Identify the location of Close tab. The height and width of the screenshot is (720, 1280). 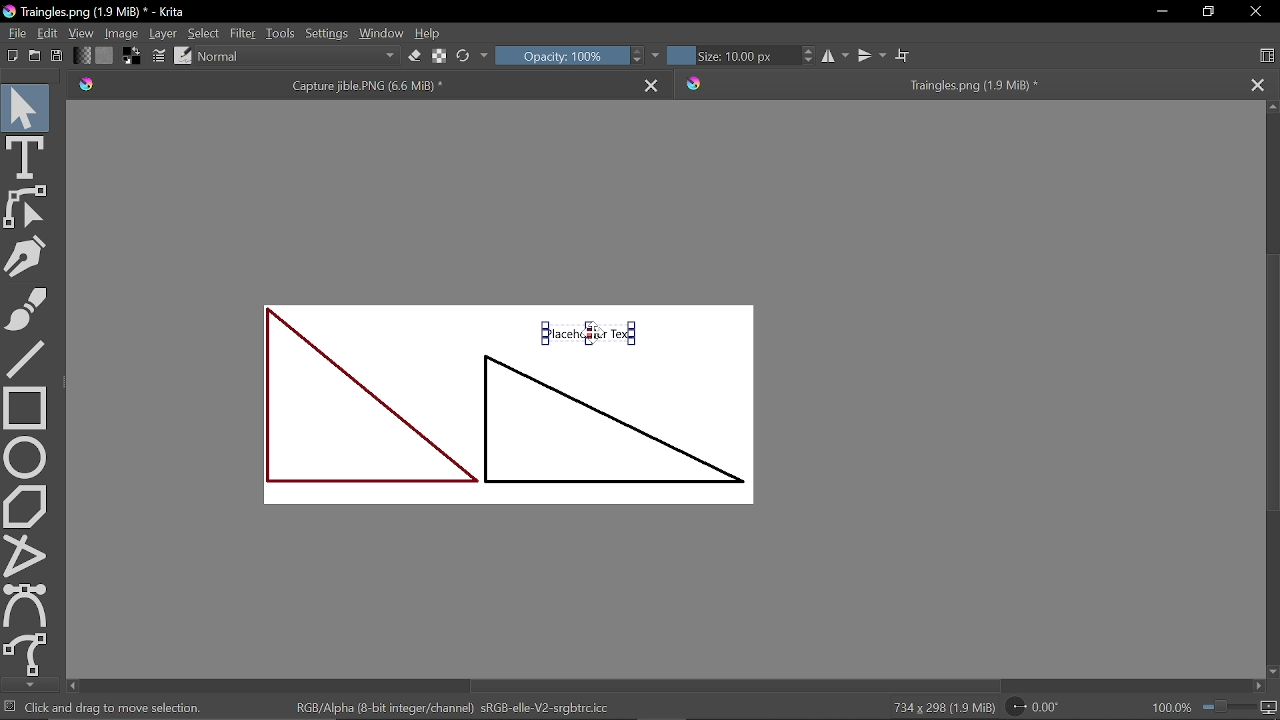
(653, 85).